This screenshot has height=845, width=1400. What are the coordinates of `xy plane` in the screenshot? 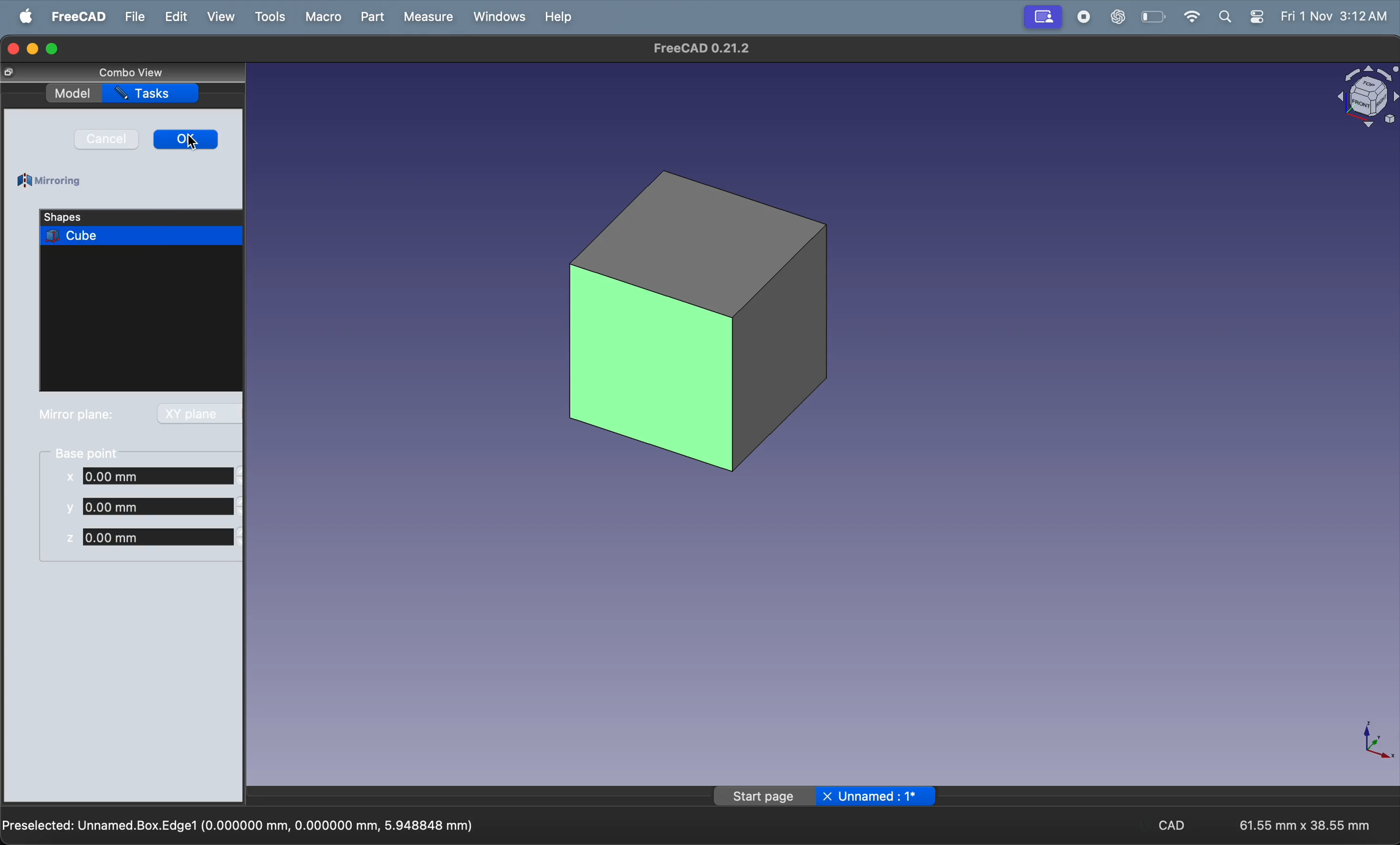 It's located at (197, 413).